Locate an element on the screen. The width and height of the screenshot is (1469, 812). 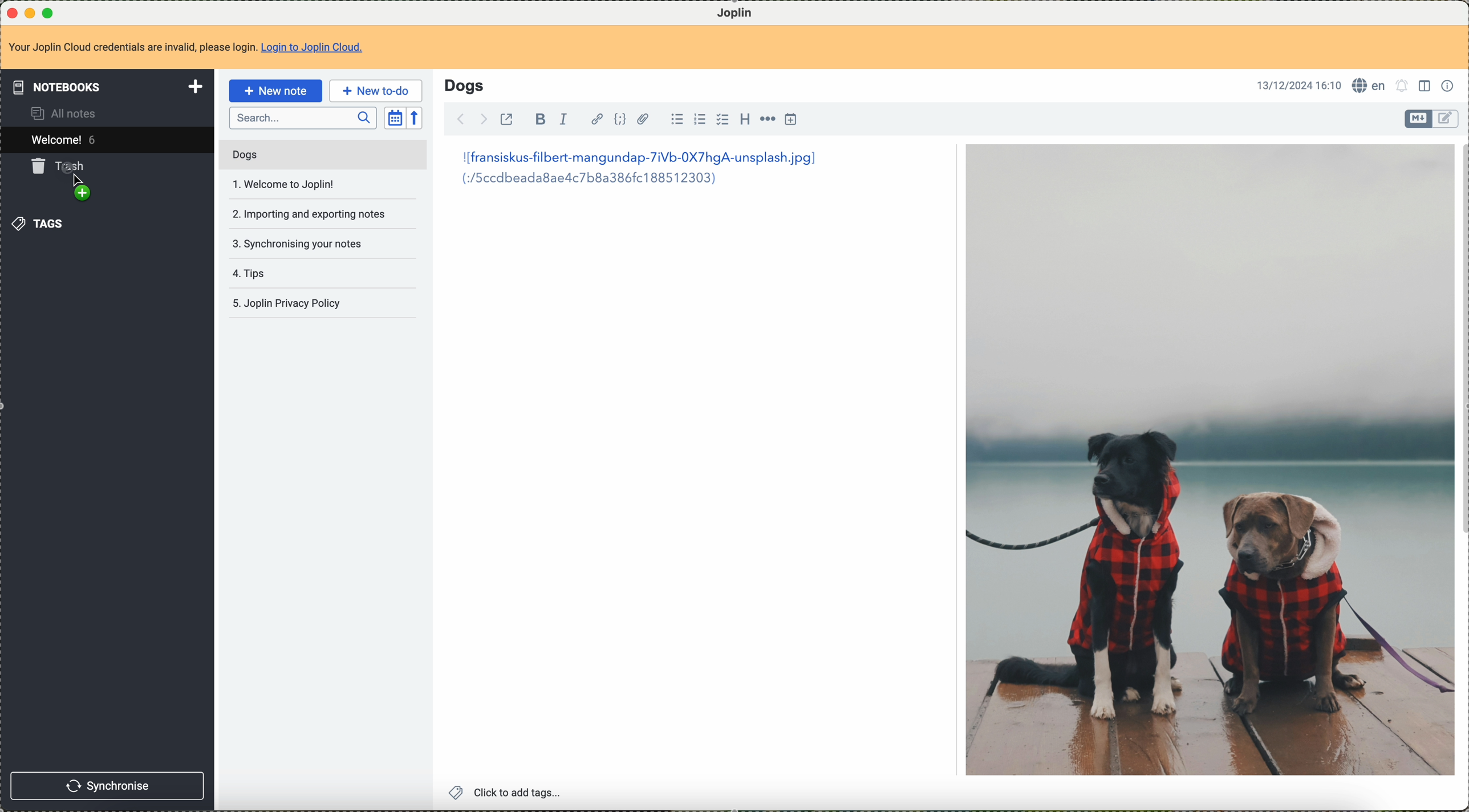
bulleted list is located at coordinates (676, 120).